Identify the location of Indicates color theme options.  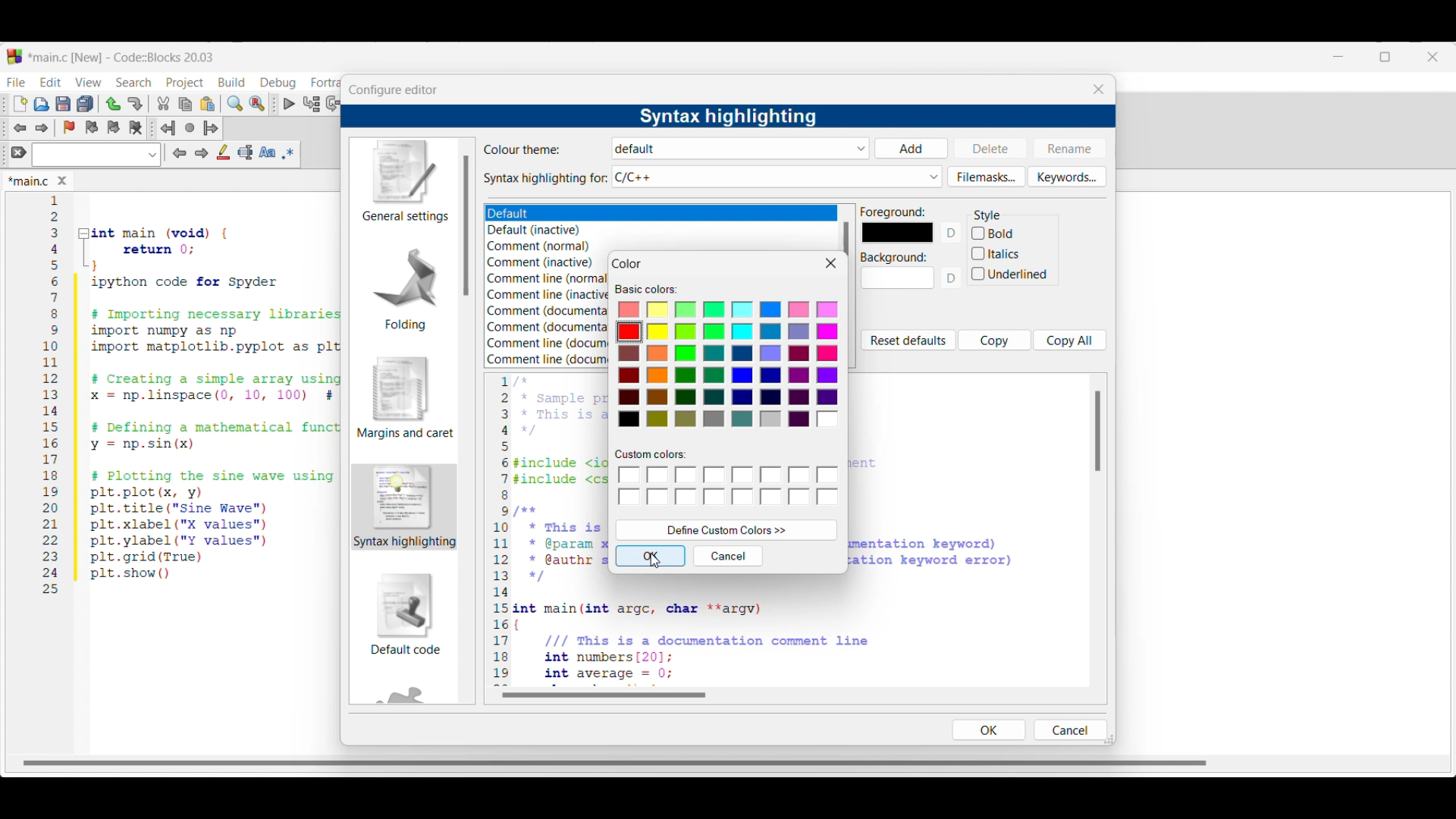
(523, 149).